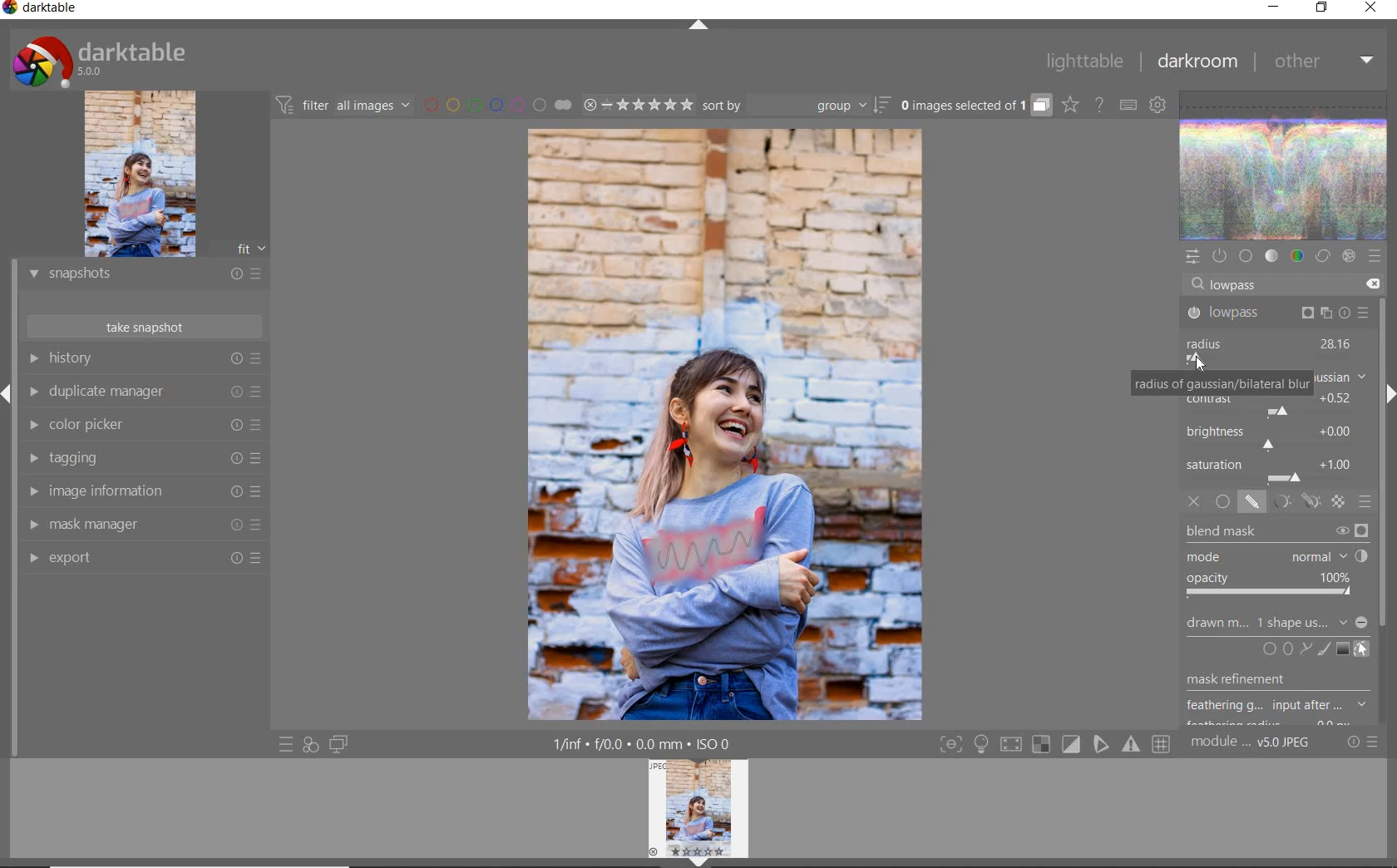 The height and width of the screenshot is (868, 1397). What do you see at coordinates (144, 460) in the screenshot?
I see `tagging` at bounding box center [144, 460].